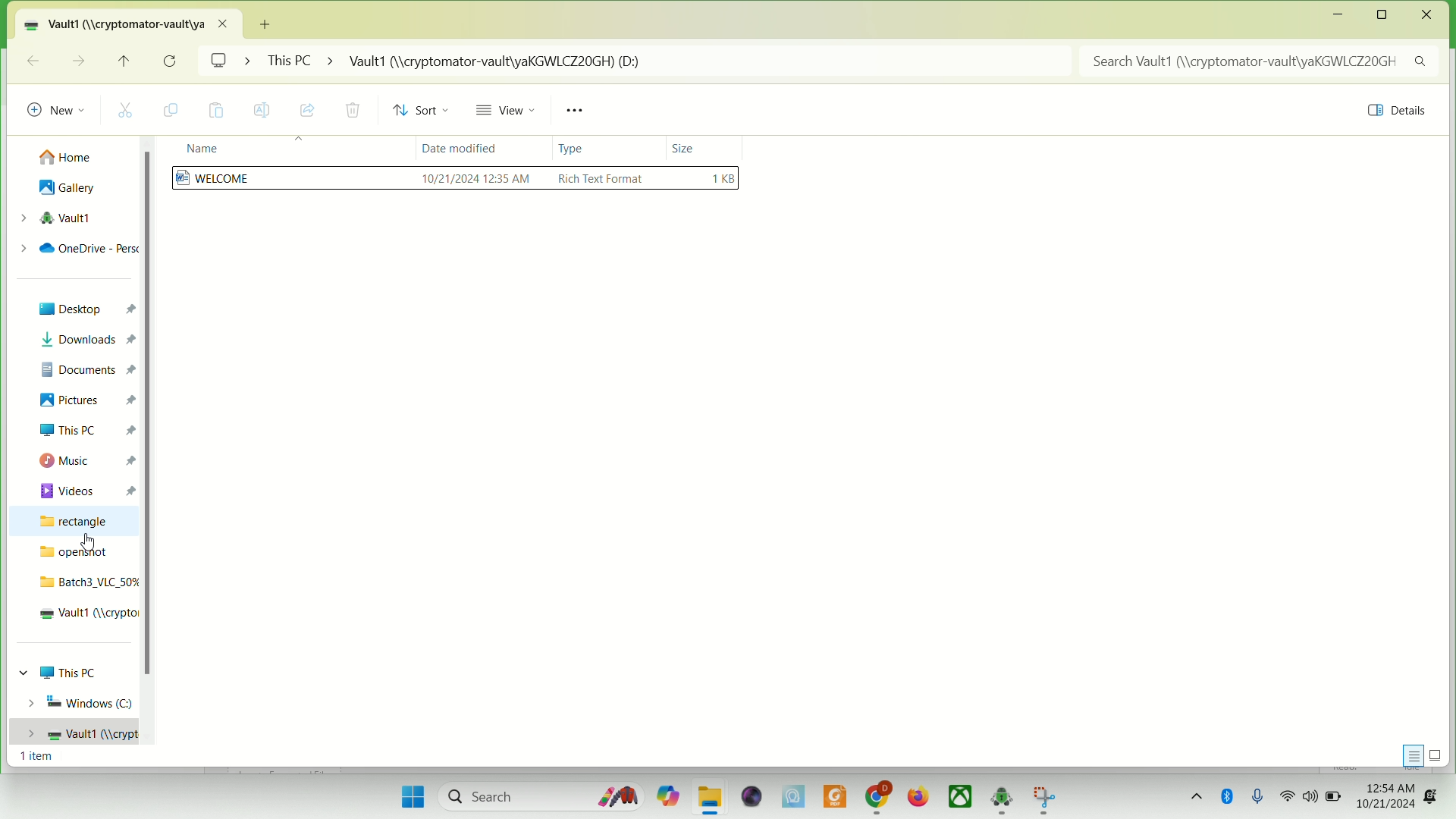 This screenshot has height=819, width=1456. I want to click on refresh, so click(171, 61).